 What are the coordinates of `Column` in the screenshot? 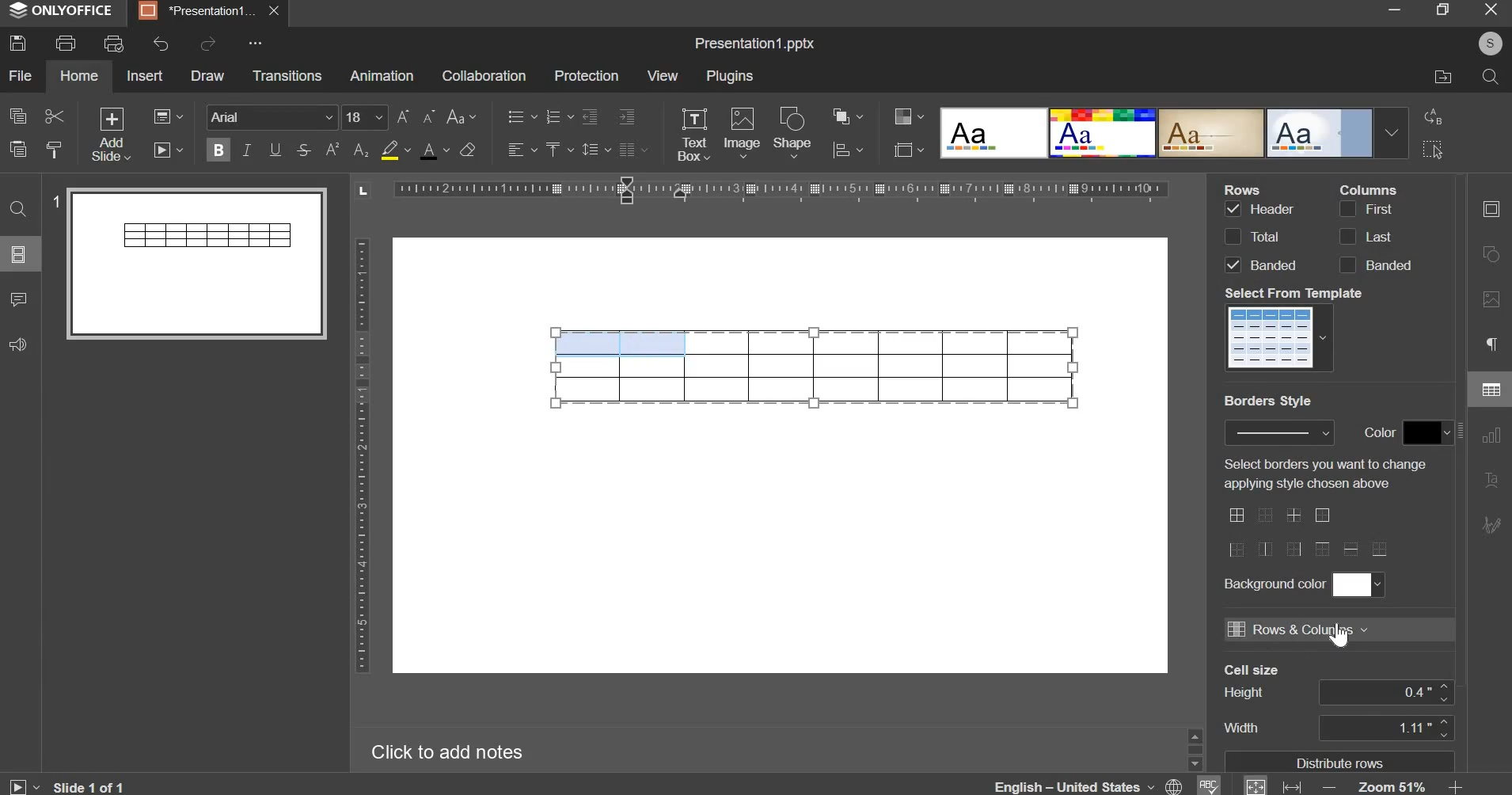 It's located at (1368, 188).